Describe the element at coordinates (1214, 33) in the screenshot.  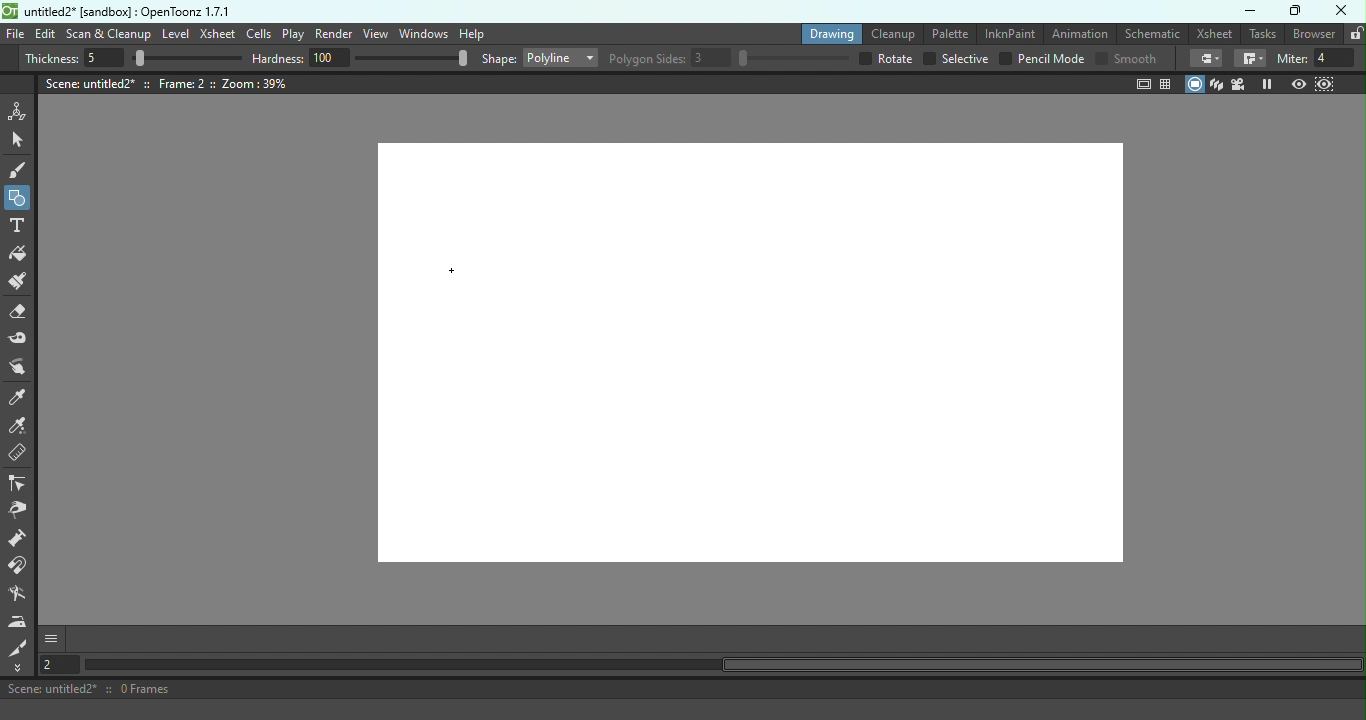
I see `Xsheet` at that location.